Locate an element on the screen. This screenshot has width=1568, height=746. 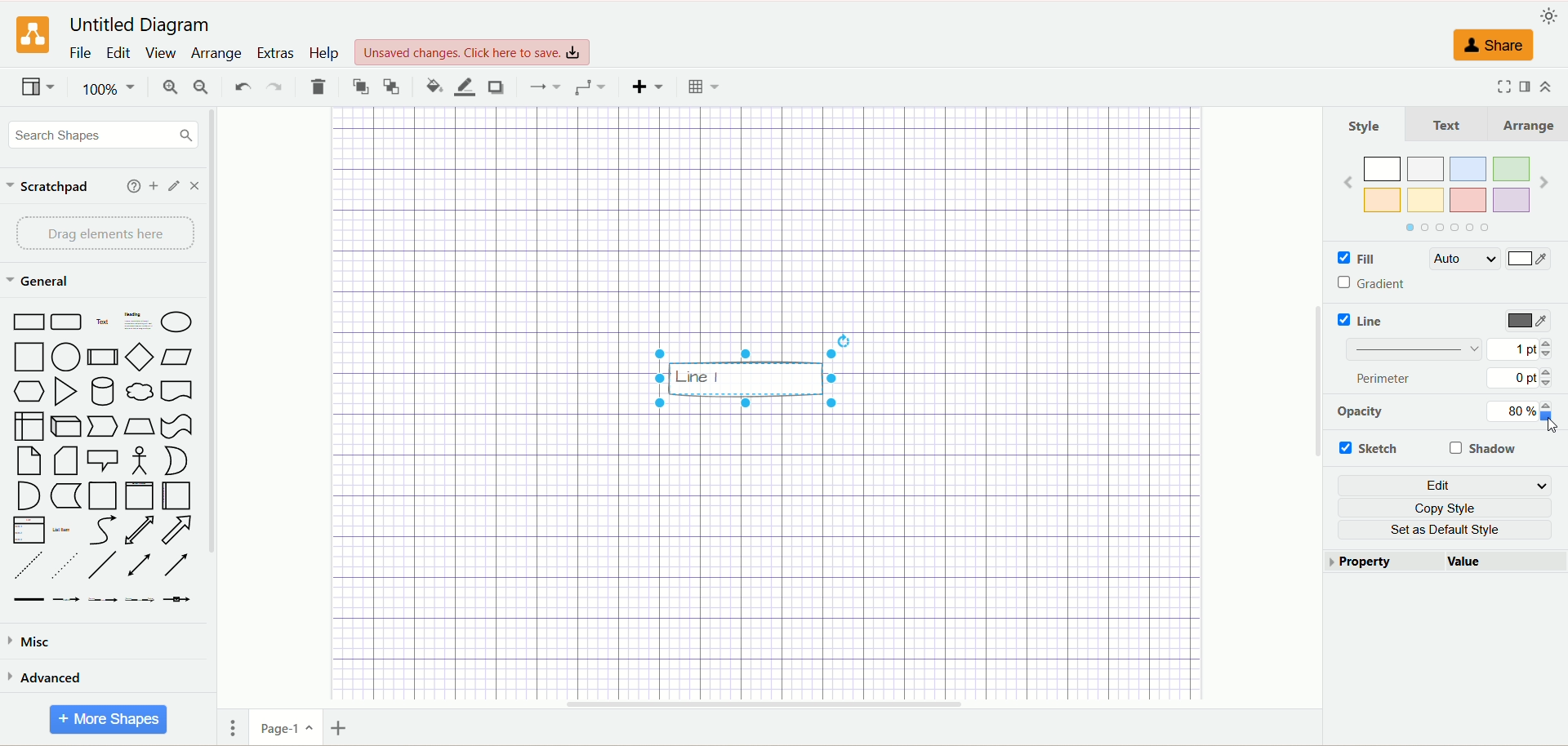
Dotted line is located at coordinates (63, 566).